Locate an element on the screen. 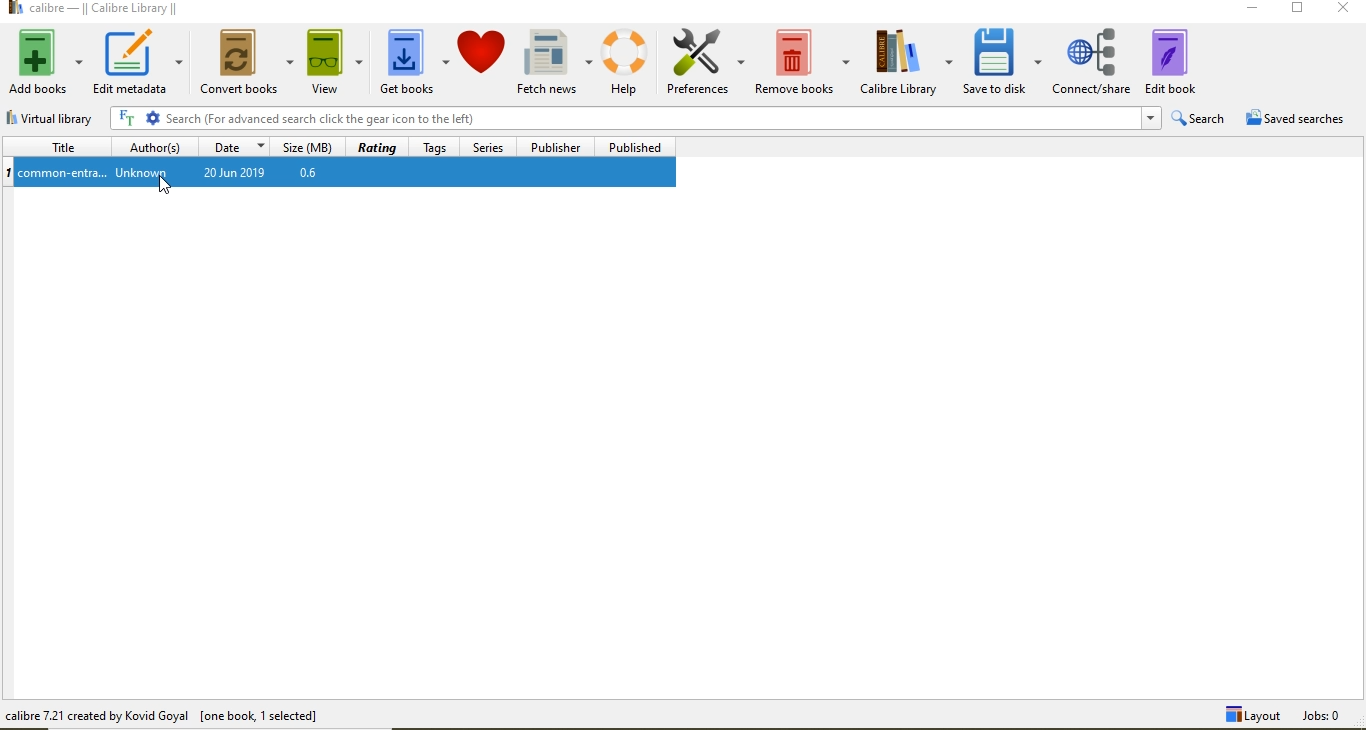  covert books is located at coordinates (248, 61).